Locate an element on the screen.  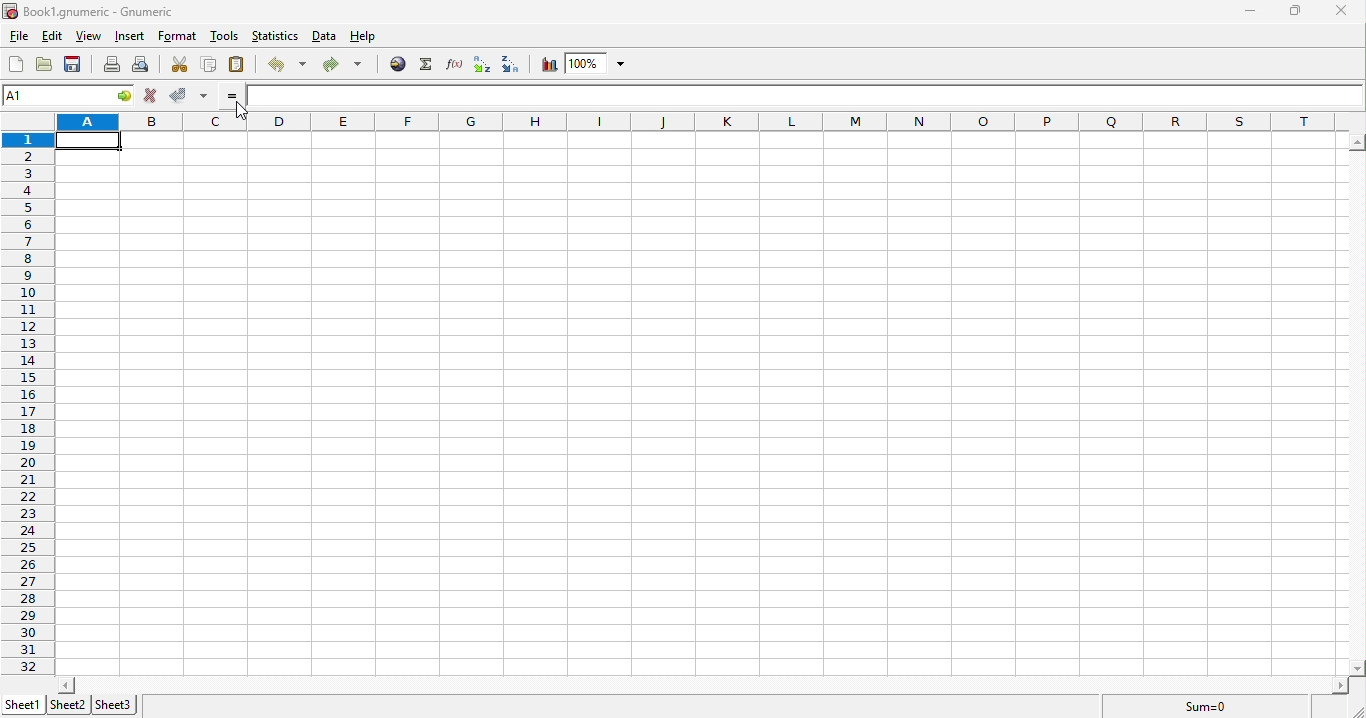
statistics is located at coordinates (275, 35).